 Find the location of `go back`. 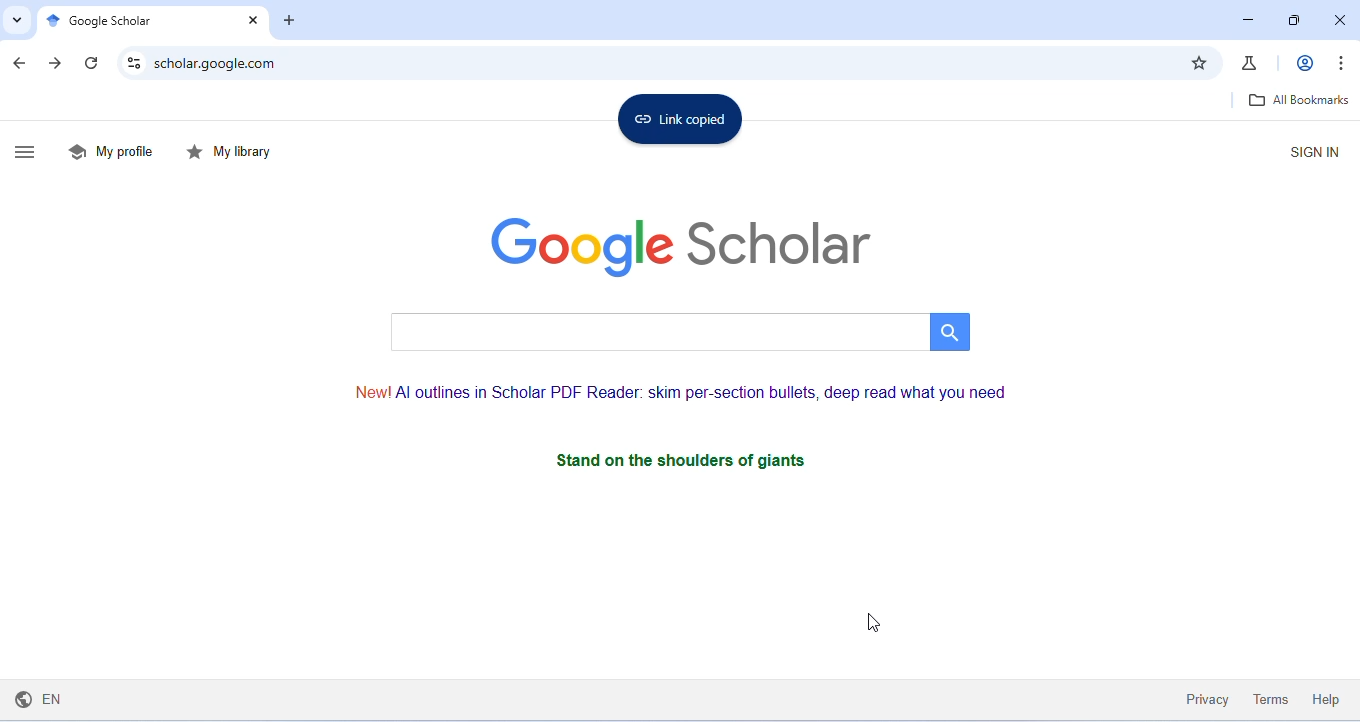

go back is located at coordinates (20, 64).